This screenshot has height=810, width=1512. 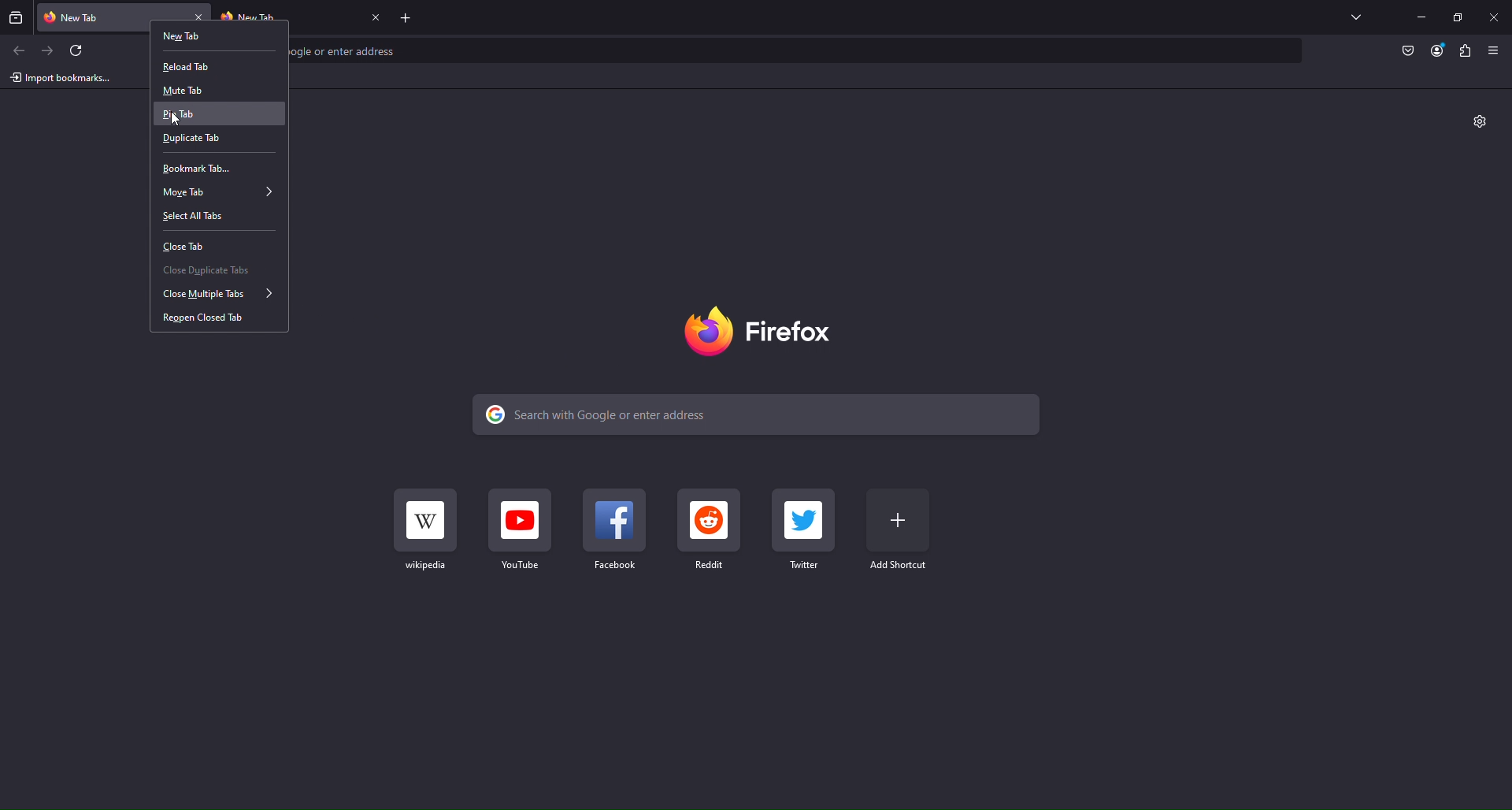 What do you see at coordinates (207, 89) in the screenshot?
I see `Mute Tab` at bounding box center [207, 89].